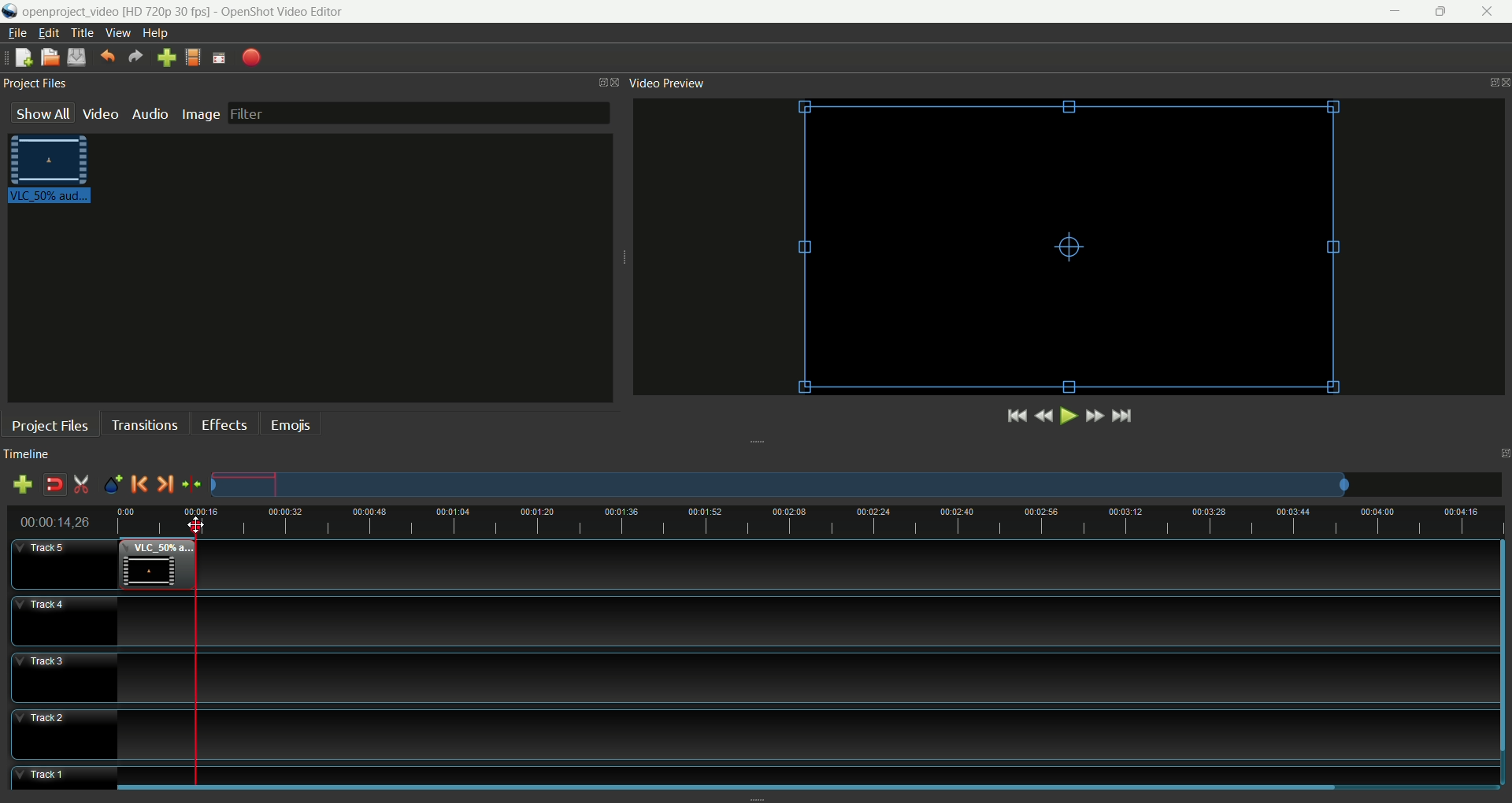 The height and width of the screenshot is (803, 1512). I want to click on project files, so click(51, 426).